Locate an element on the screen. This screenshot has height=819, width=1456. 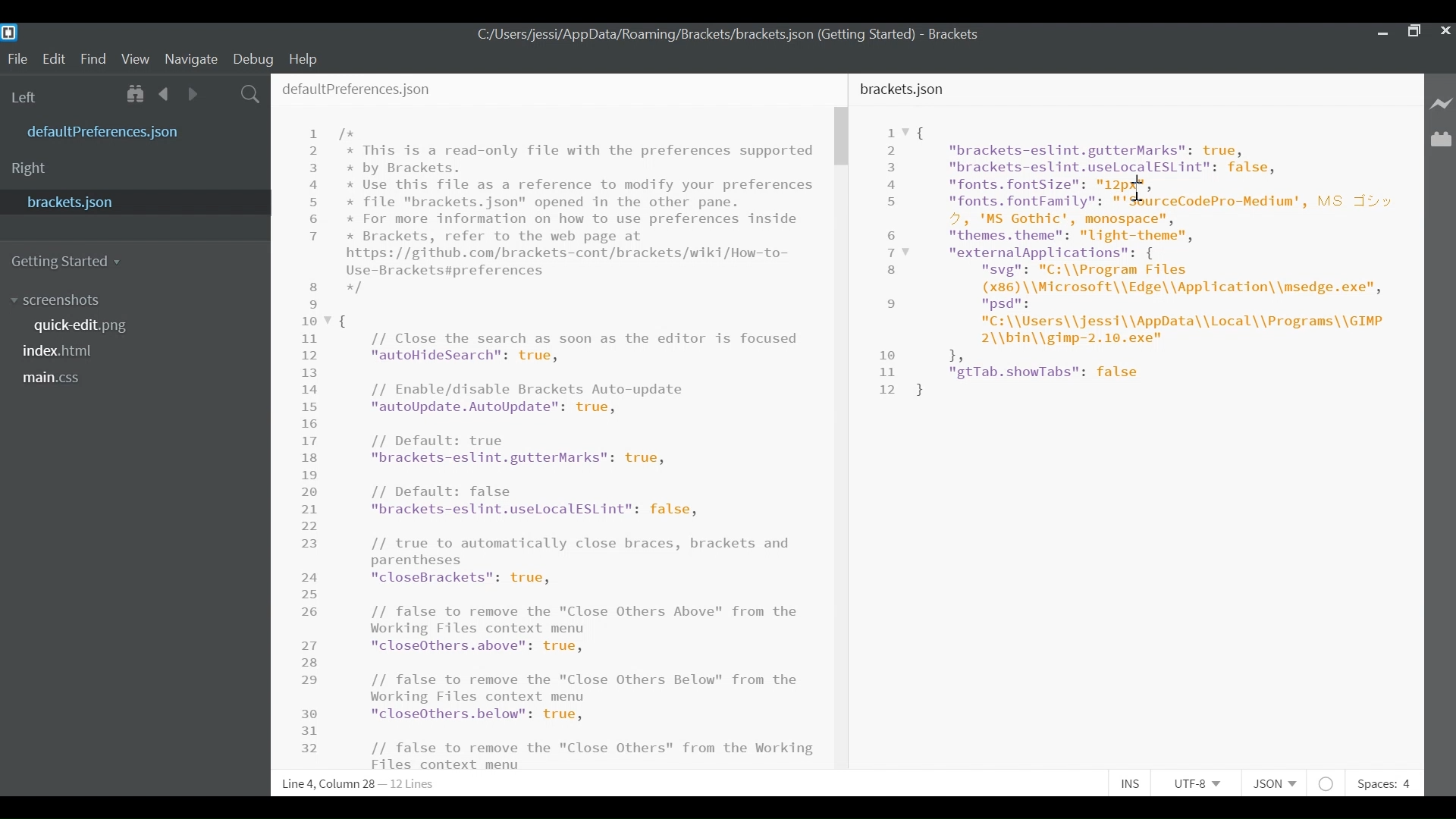
Maximize is located at coordinates (1414, 33).